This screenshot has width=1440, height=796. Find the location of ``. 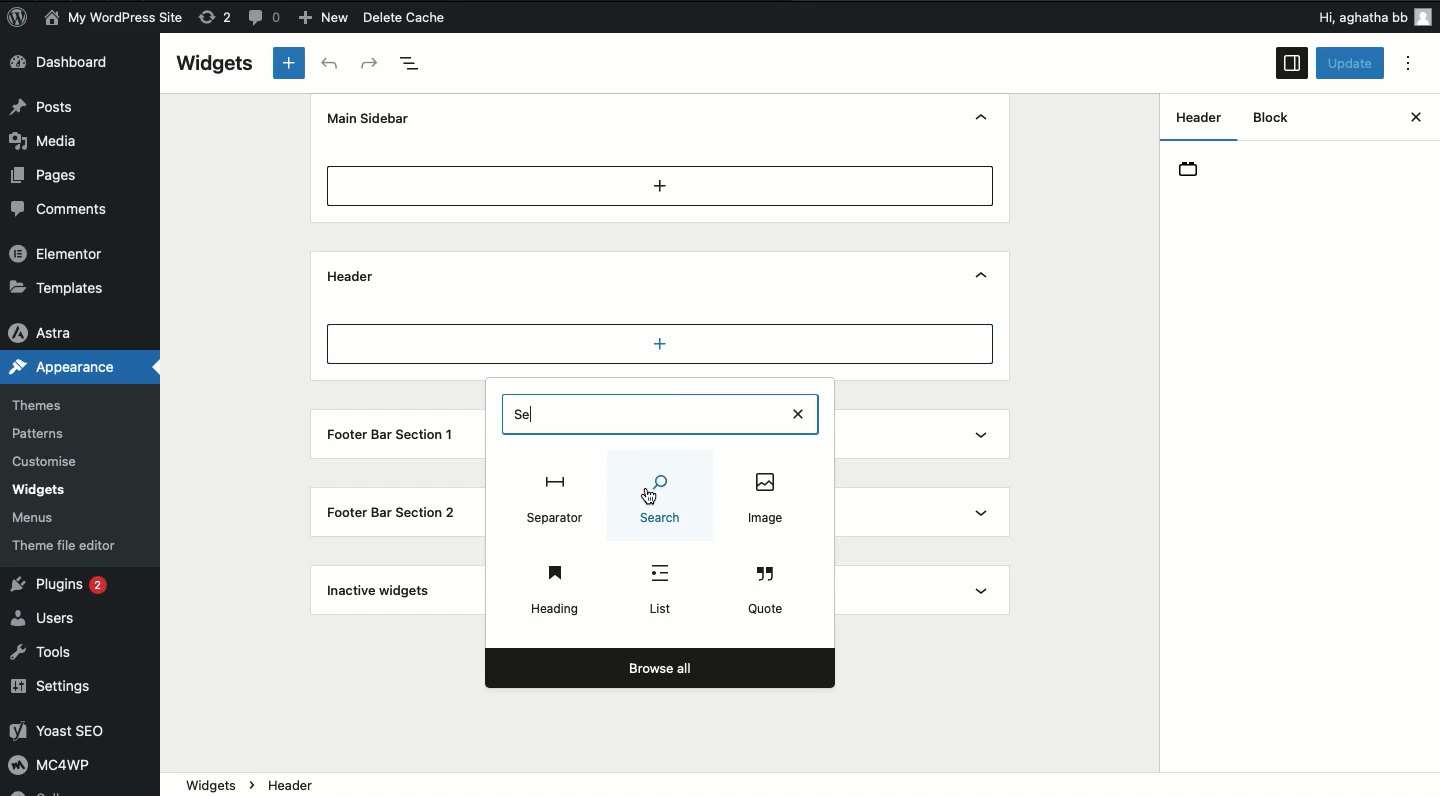

 is located at coordinates (1337, 17).